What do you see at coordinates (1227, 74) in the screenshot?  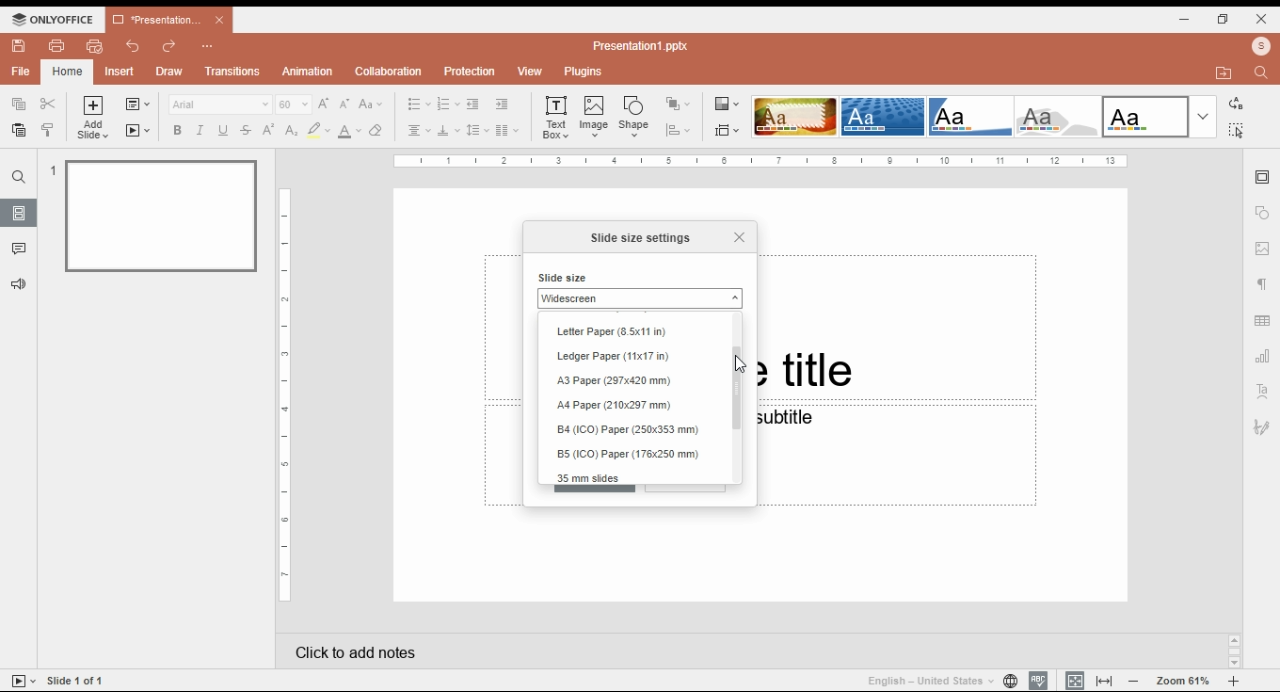 I see `open file location` at bounding box center [1227, 74].